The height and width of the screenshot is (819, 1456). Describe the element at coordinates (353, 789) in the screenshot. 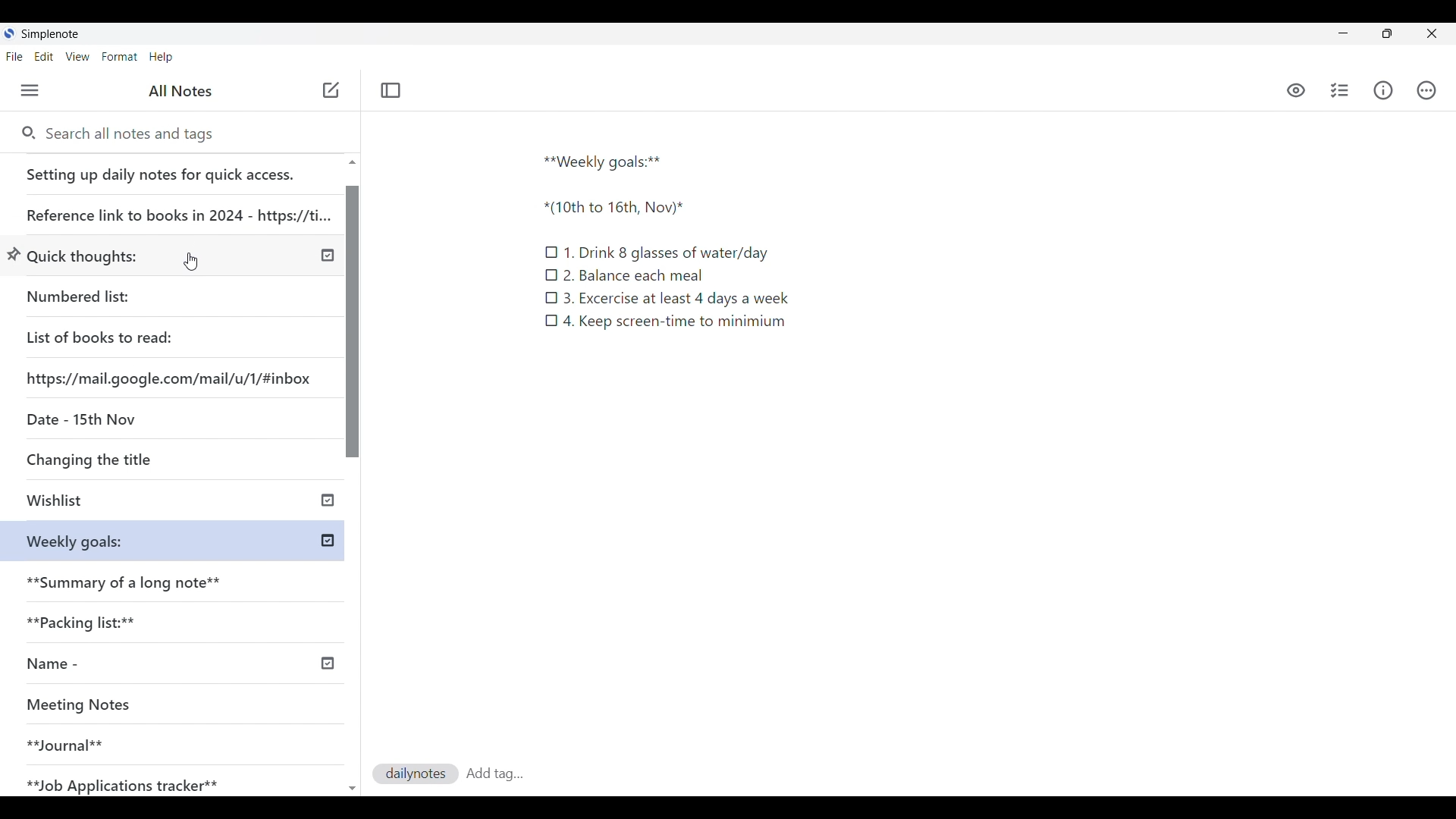

I see `Quick slide to top` at that location.